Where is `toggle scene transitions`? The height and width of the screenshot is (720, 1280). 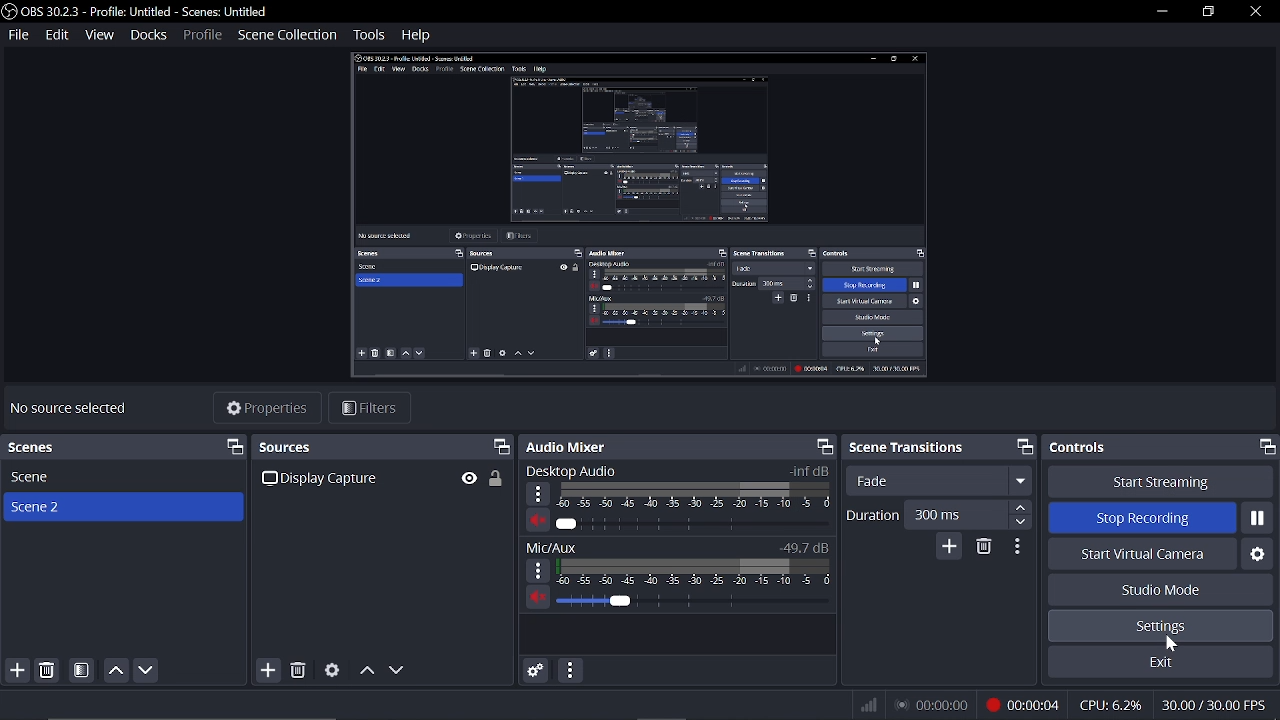 toggle scene transitions is located at coordinates (1026, 445).